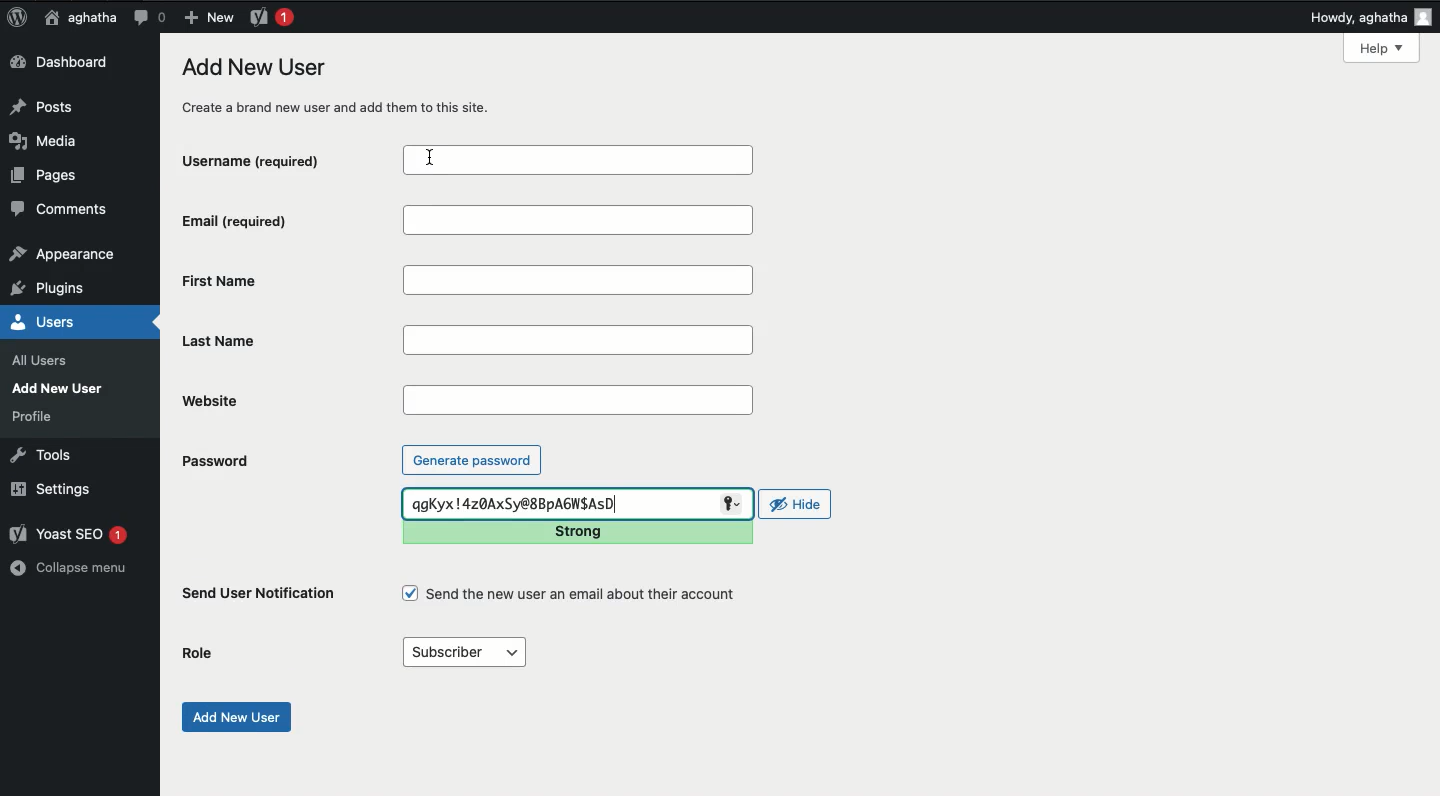 The image size is (1440, 796). What do you see at coordinates (572, 594) in the screenshot?
I see `Send the new user an email about their account` at bounding box center [572, 594].